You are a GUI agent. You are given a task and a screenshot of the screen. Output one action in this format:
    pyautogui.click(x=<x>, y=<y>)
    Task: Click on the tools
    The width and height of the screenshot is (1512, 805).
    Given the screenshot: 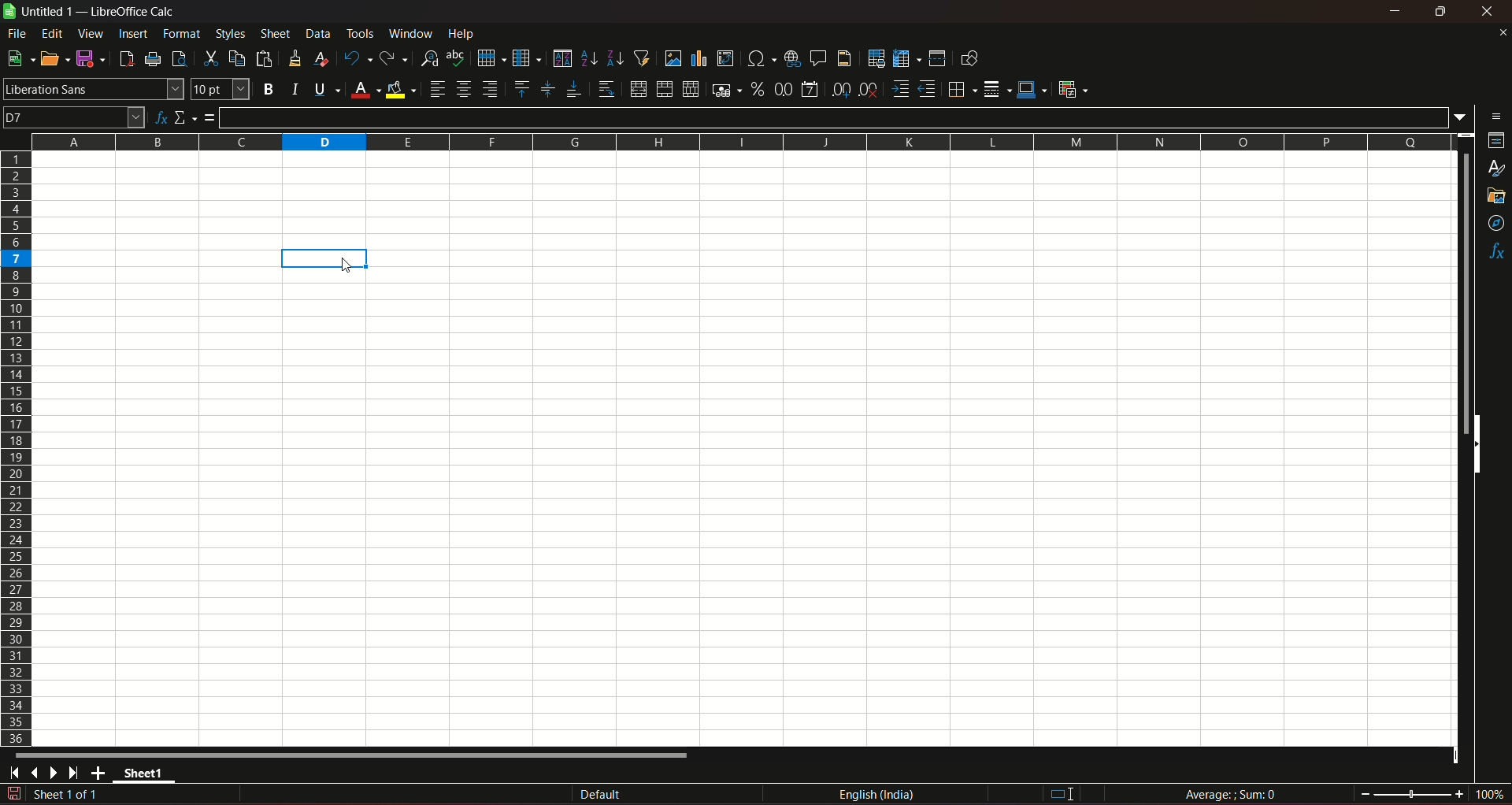 What is the action you would take?
    pyautogui.click(x=361, y=33)
    